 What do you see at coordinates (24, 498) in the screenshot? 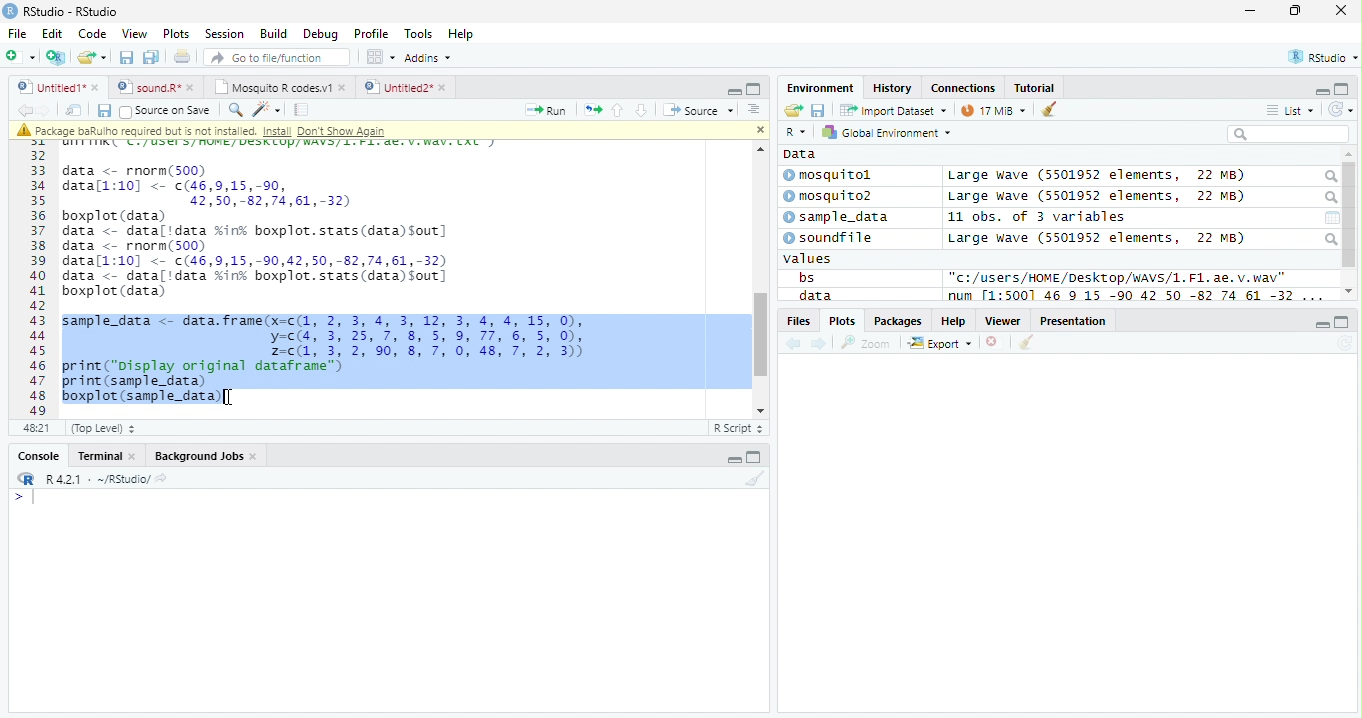
I see `typing cursor` at bounding box center [24, 498].